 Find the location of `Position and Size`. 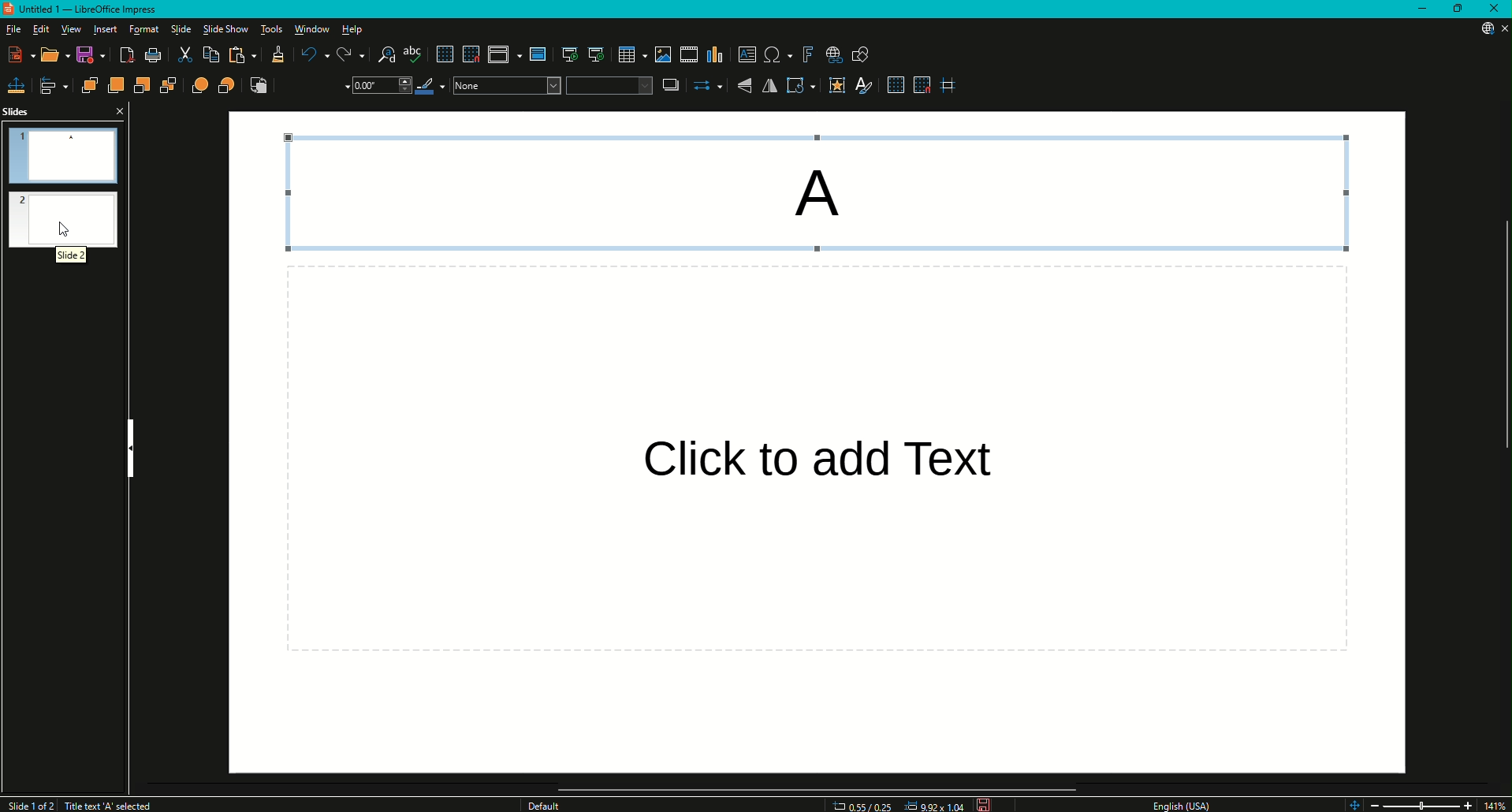

Position and Size is located at coordinates (17, 84).